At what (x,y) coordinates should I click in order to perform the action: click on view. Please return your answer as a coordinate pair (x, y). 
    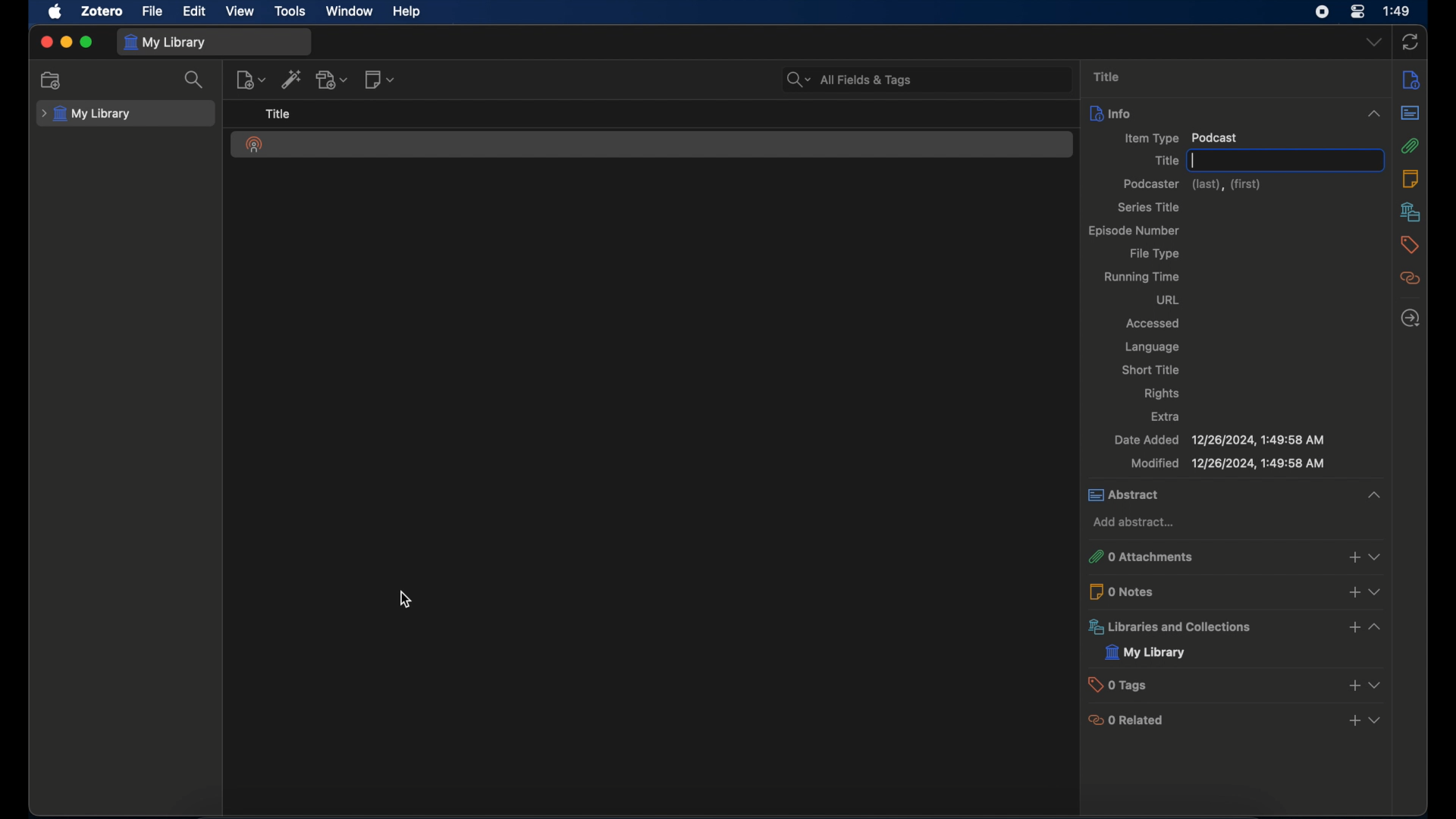
    Looking at the image, I should click on (241, 11).